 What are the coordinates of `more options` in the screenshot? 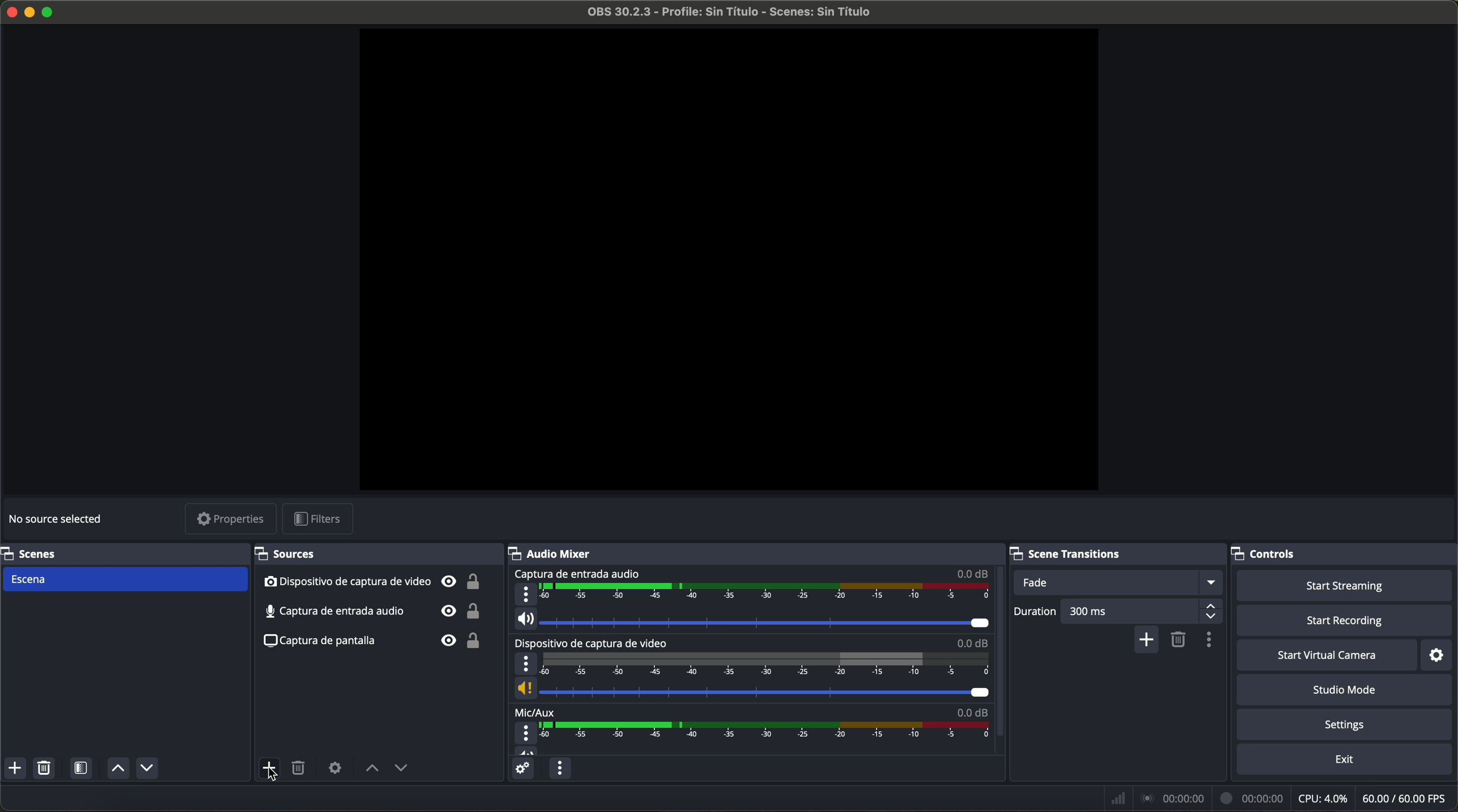 It's located at (526, 664).